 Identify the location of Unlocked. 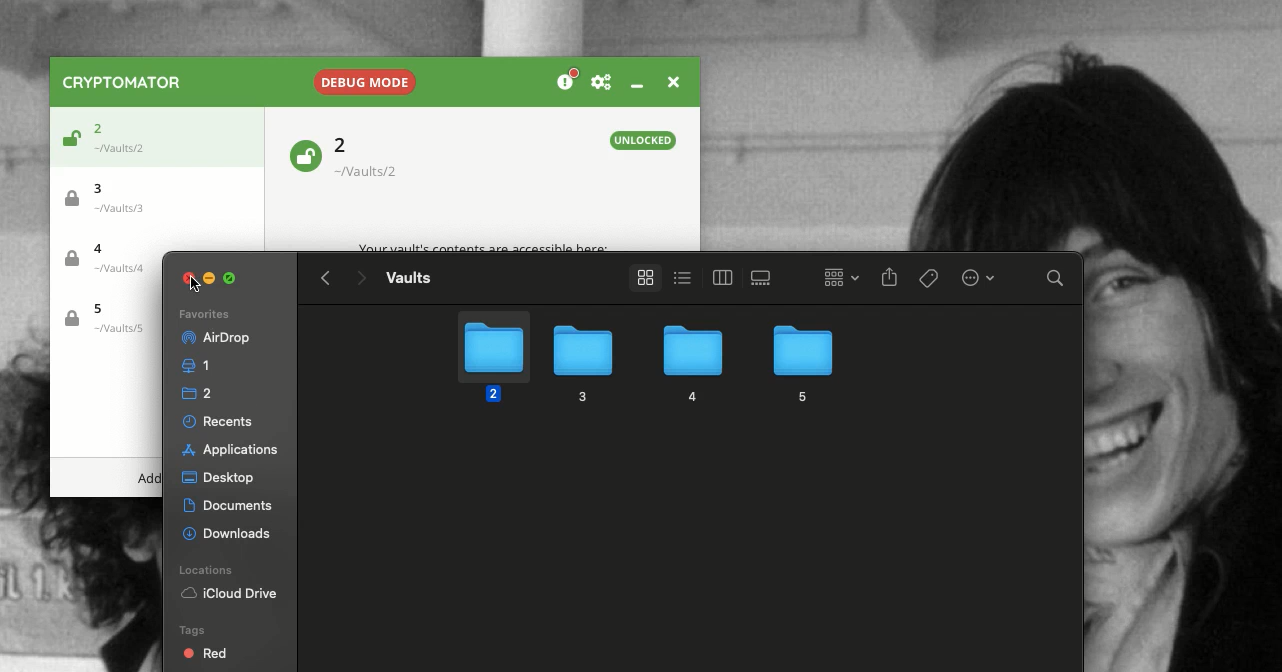
(68, 141).